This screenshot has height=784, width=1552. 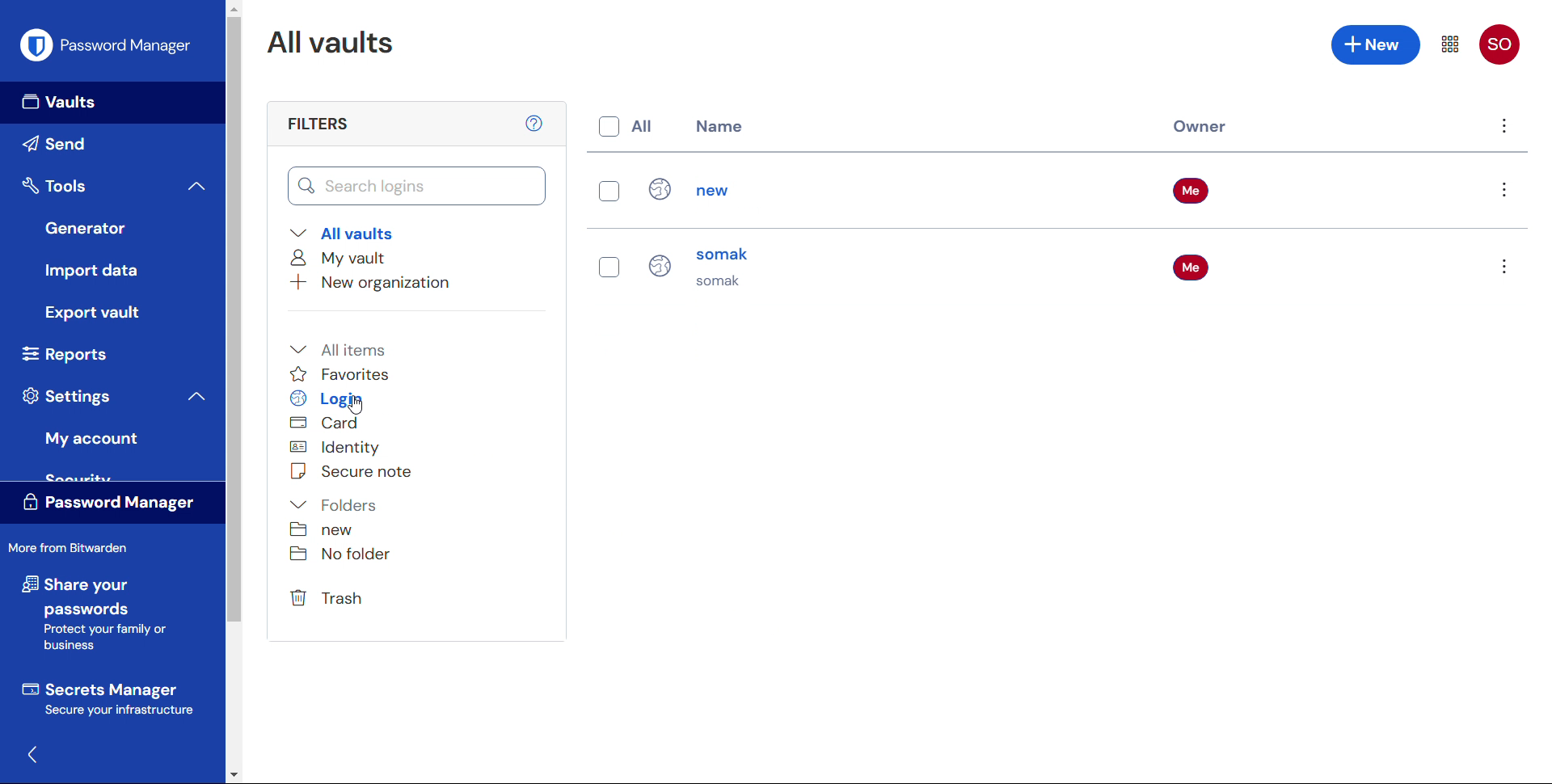 What do you see at coordinates (112, 504) in the screenshot?
I see `Password manager ` at bounding box center [112, 504].